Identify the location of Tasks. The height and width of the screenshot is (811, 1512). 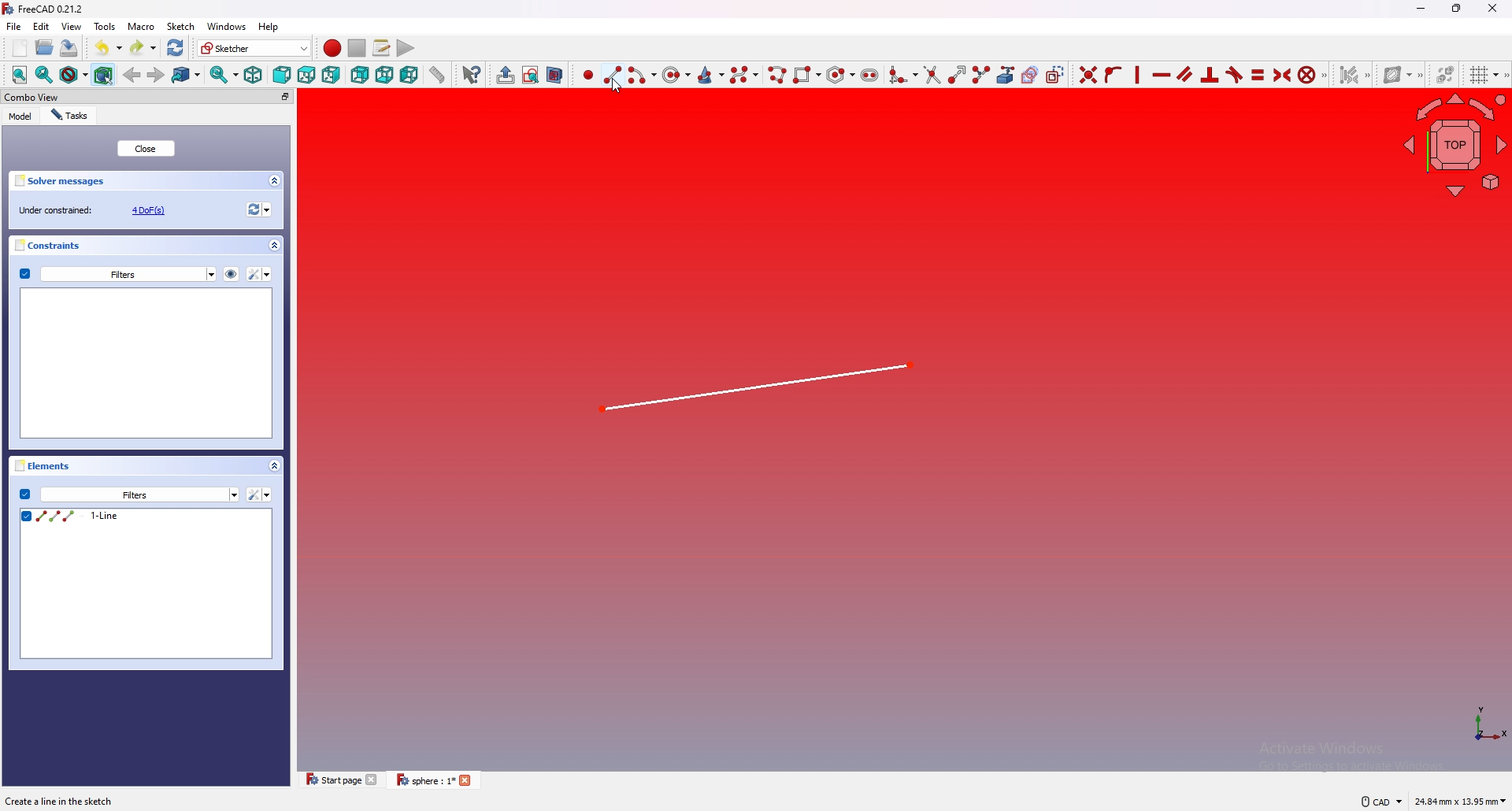
(72, 115).